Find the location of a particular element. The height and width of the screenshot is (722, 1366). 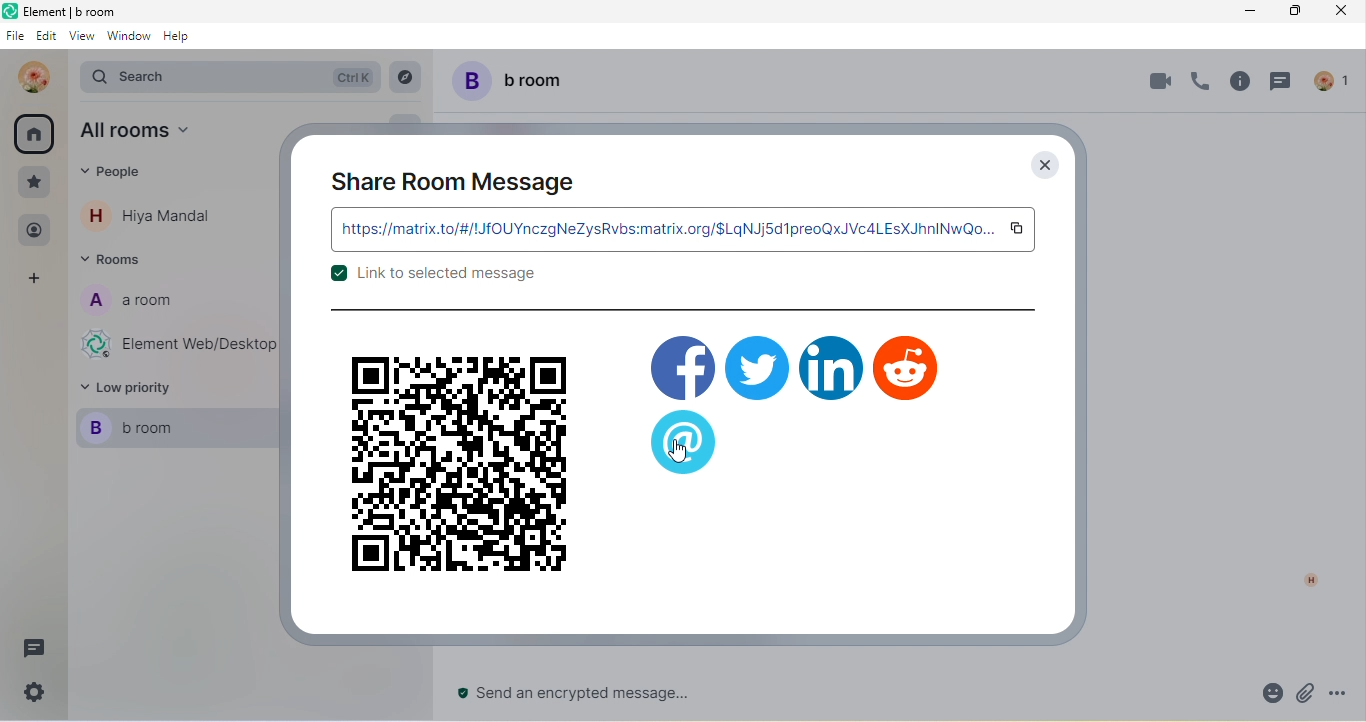

send an encrypted message is located at coordinates (590, 694).